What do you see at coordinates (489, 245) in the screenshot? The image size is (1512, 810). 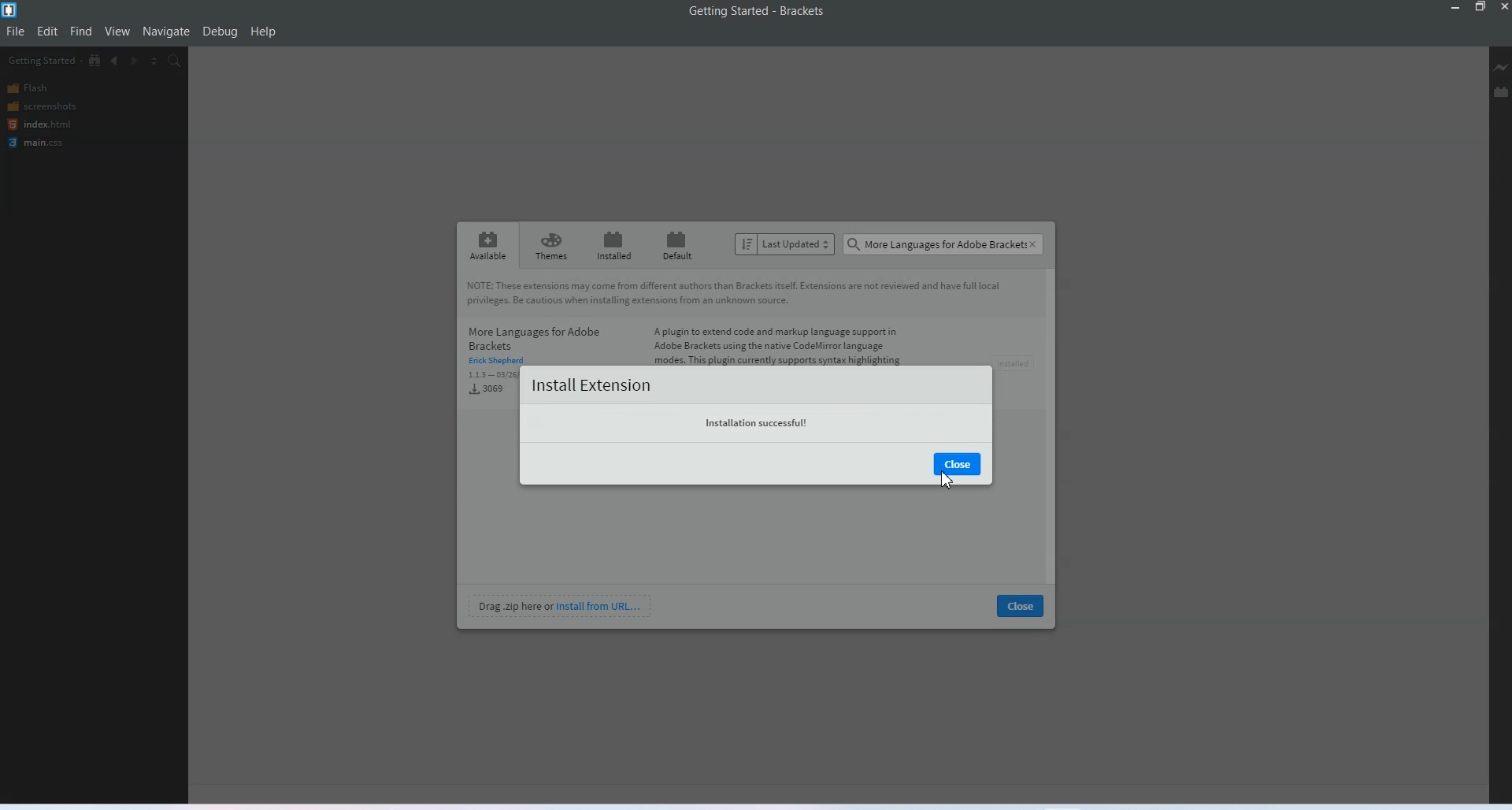 I see `Available` at bounding box center [489, 245].